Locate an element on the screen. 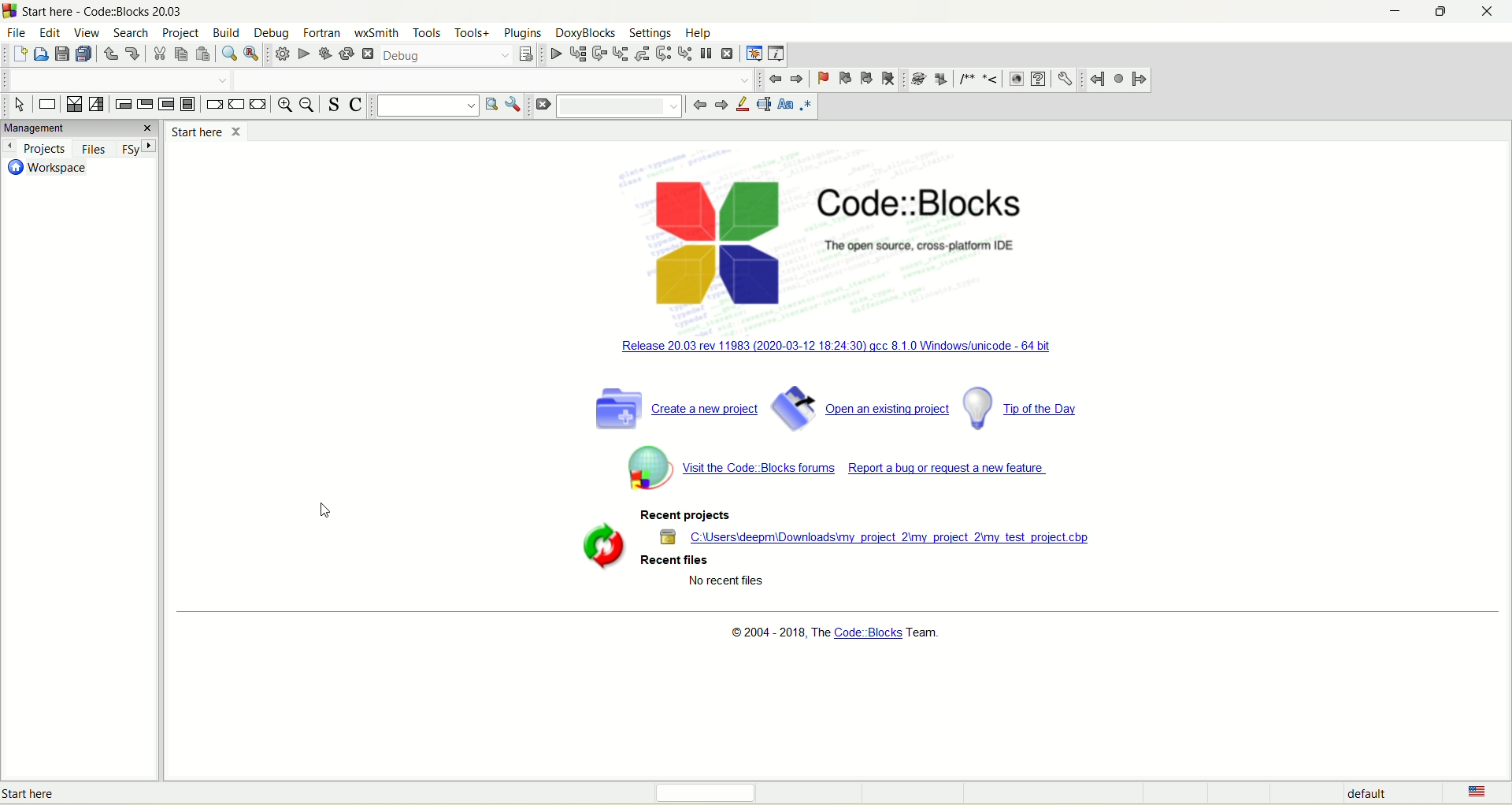 This screenshot has height=805, width=1512. jump forward is located at coordinates (1140, 80).